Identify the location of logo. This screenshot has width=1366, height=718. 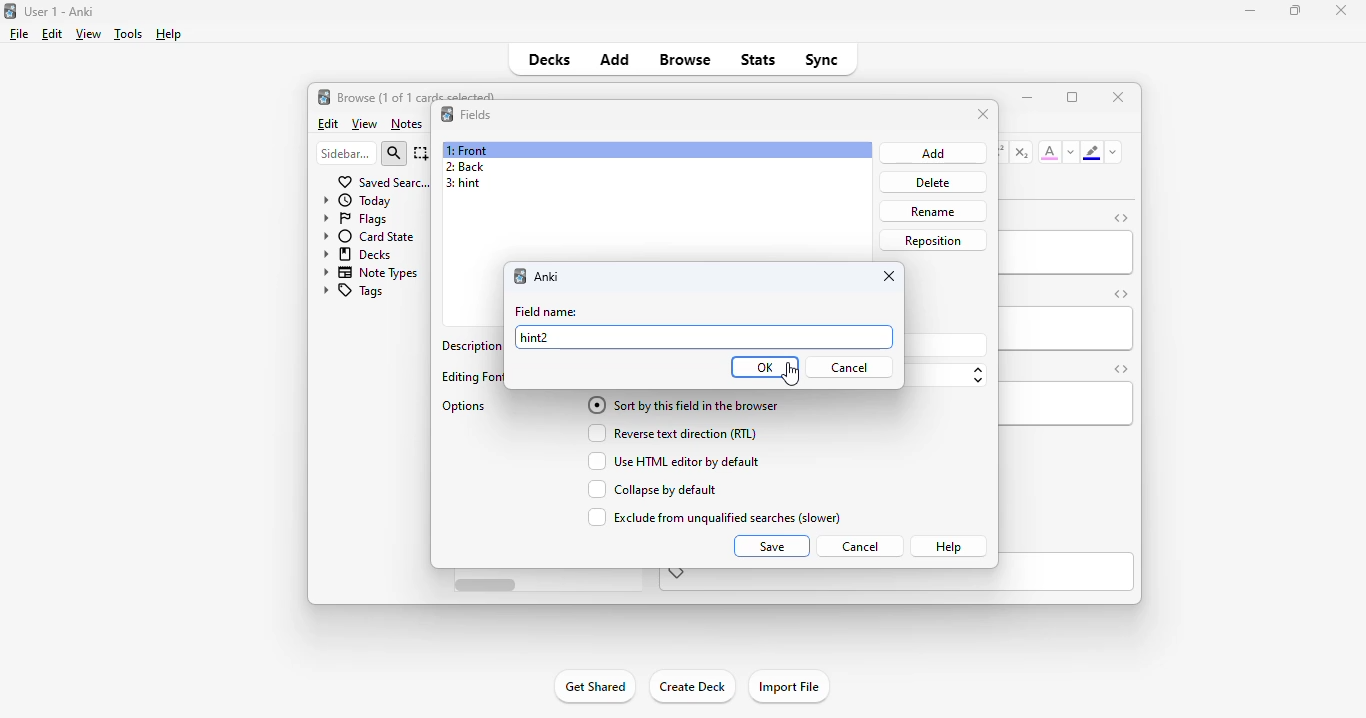
(9, 10).